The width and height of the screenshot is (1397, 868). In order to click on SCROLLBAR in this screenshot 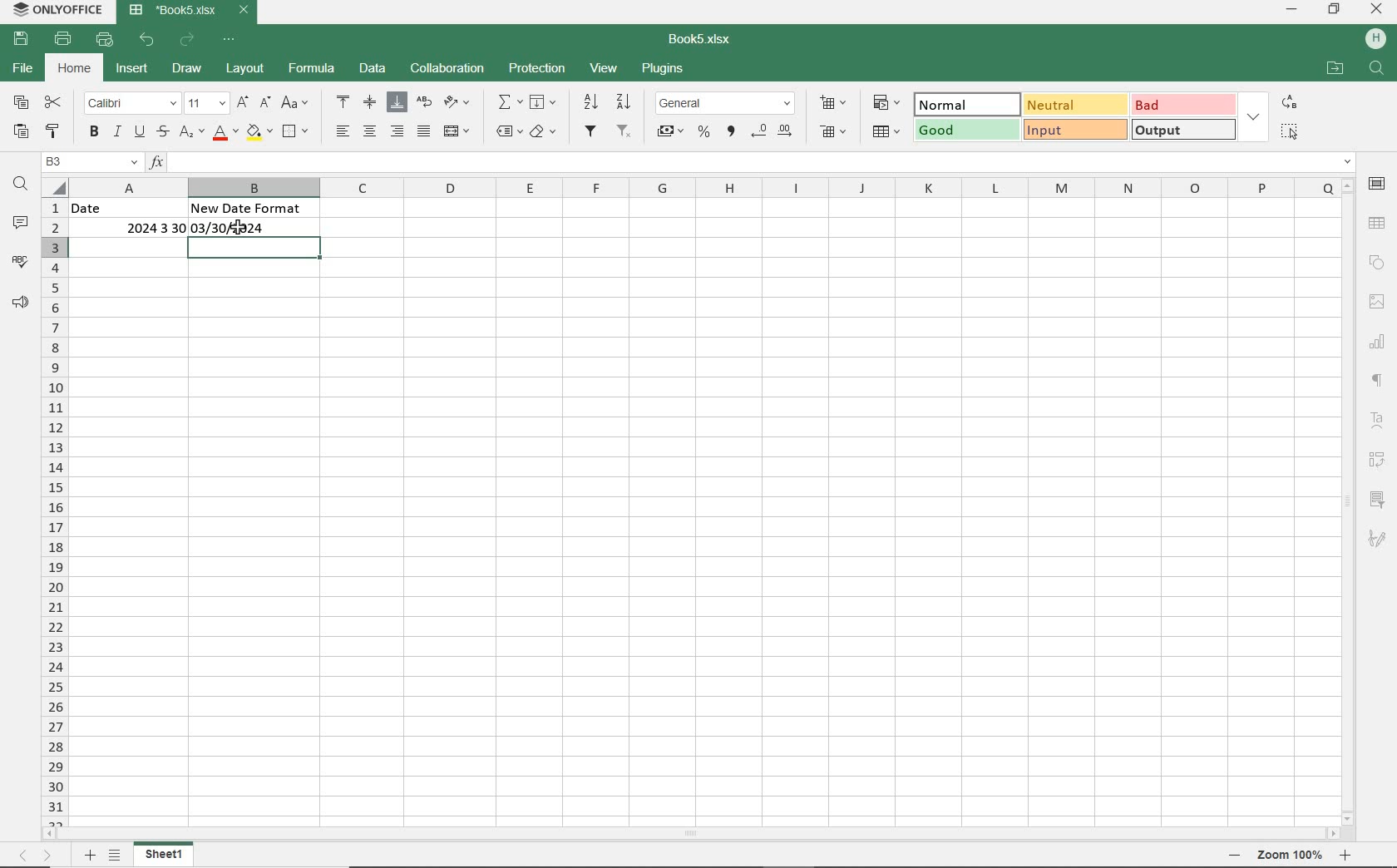, I will do `click(691, 833)`.